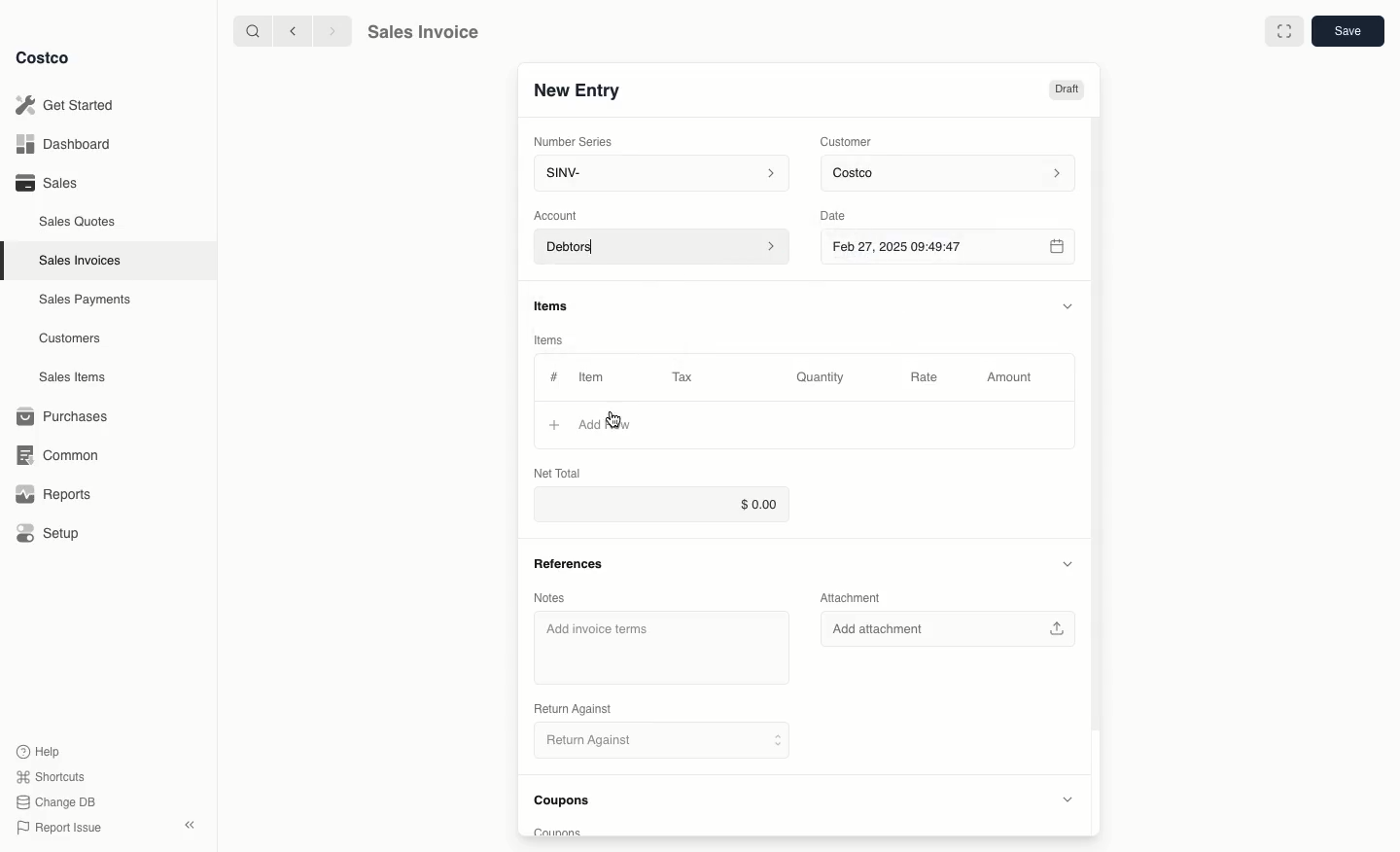  What do you see at coordinates (926, 378) in the screenshot?
I see `Rate` at bounding box center [926, 378].